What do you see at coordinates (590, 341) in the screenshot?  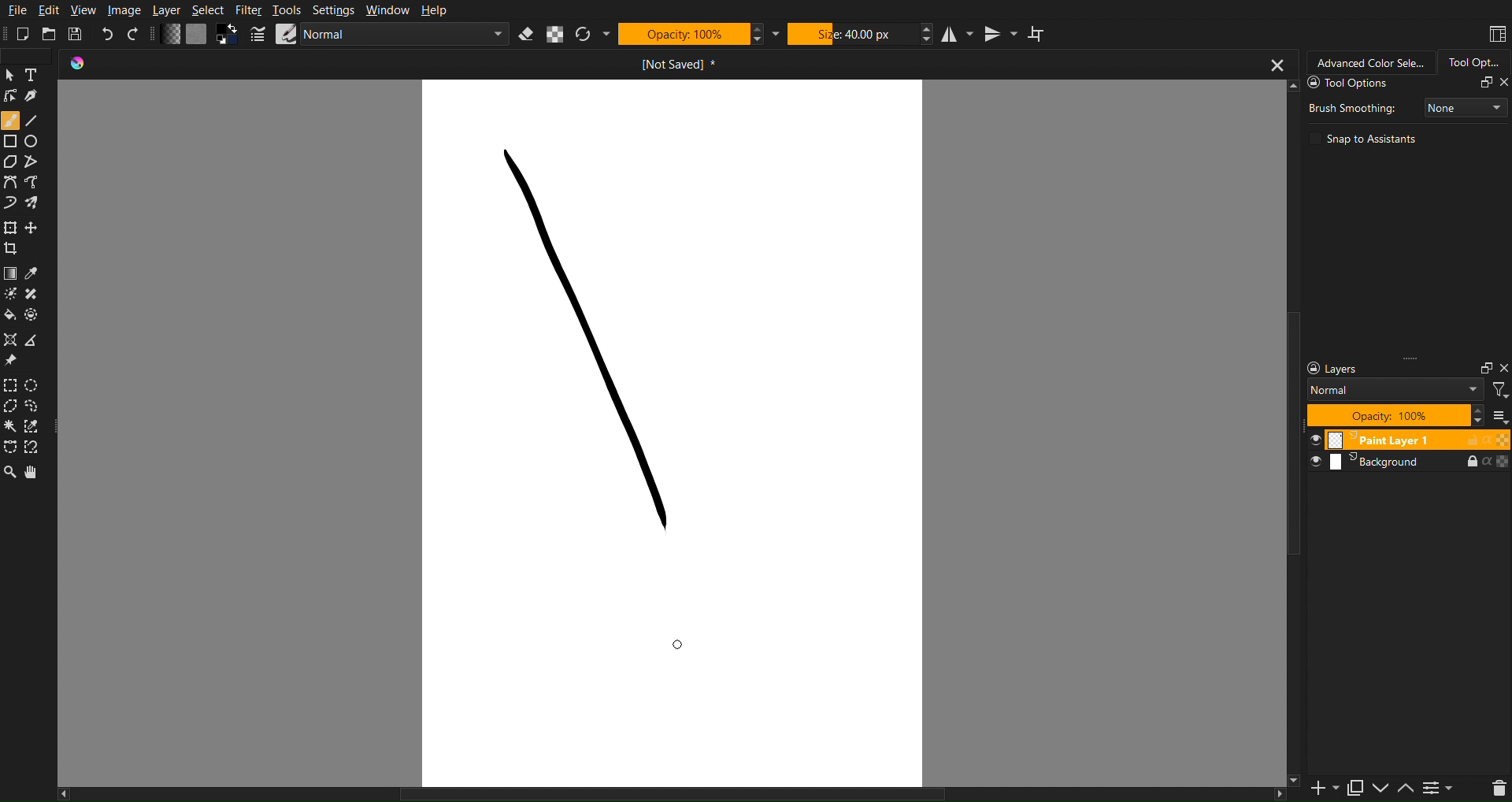 I see `Stroke` at bounding box center [590, 341].